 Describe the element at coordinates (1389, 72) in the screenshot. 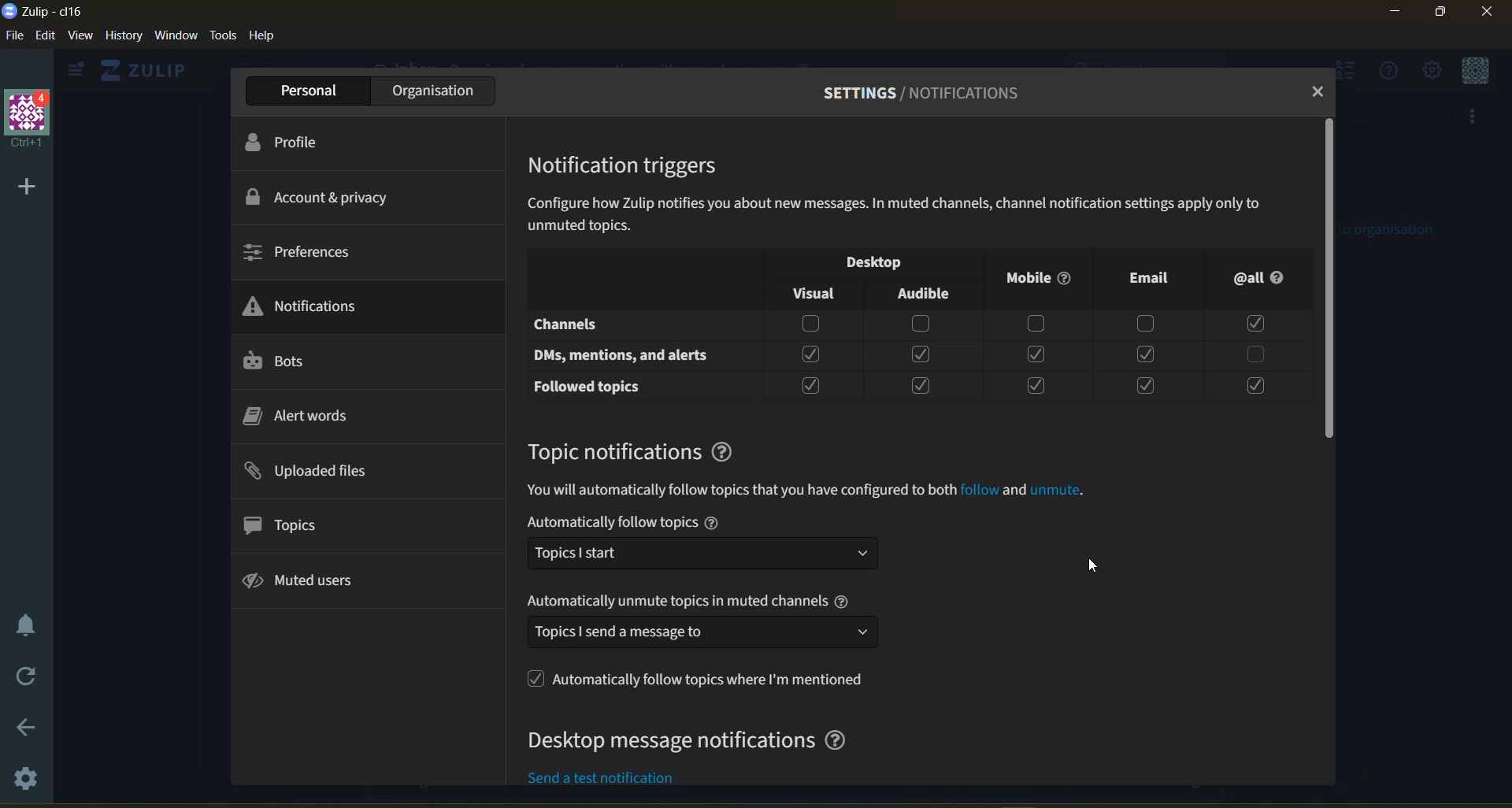

I see `help menu` at that location.